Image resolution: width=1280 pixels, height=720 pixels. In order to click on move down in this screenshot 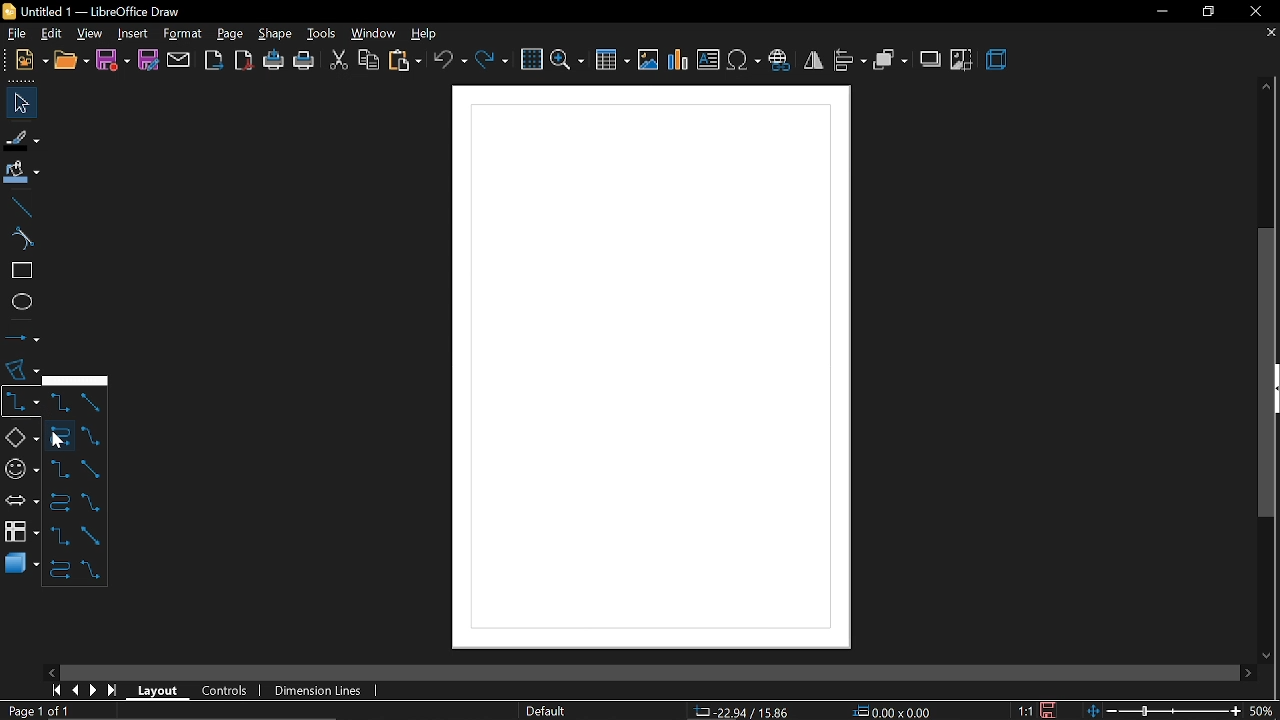, I will do `click(1269, 653)`.